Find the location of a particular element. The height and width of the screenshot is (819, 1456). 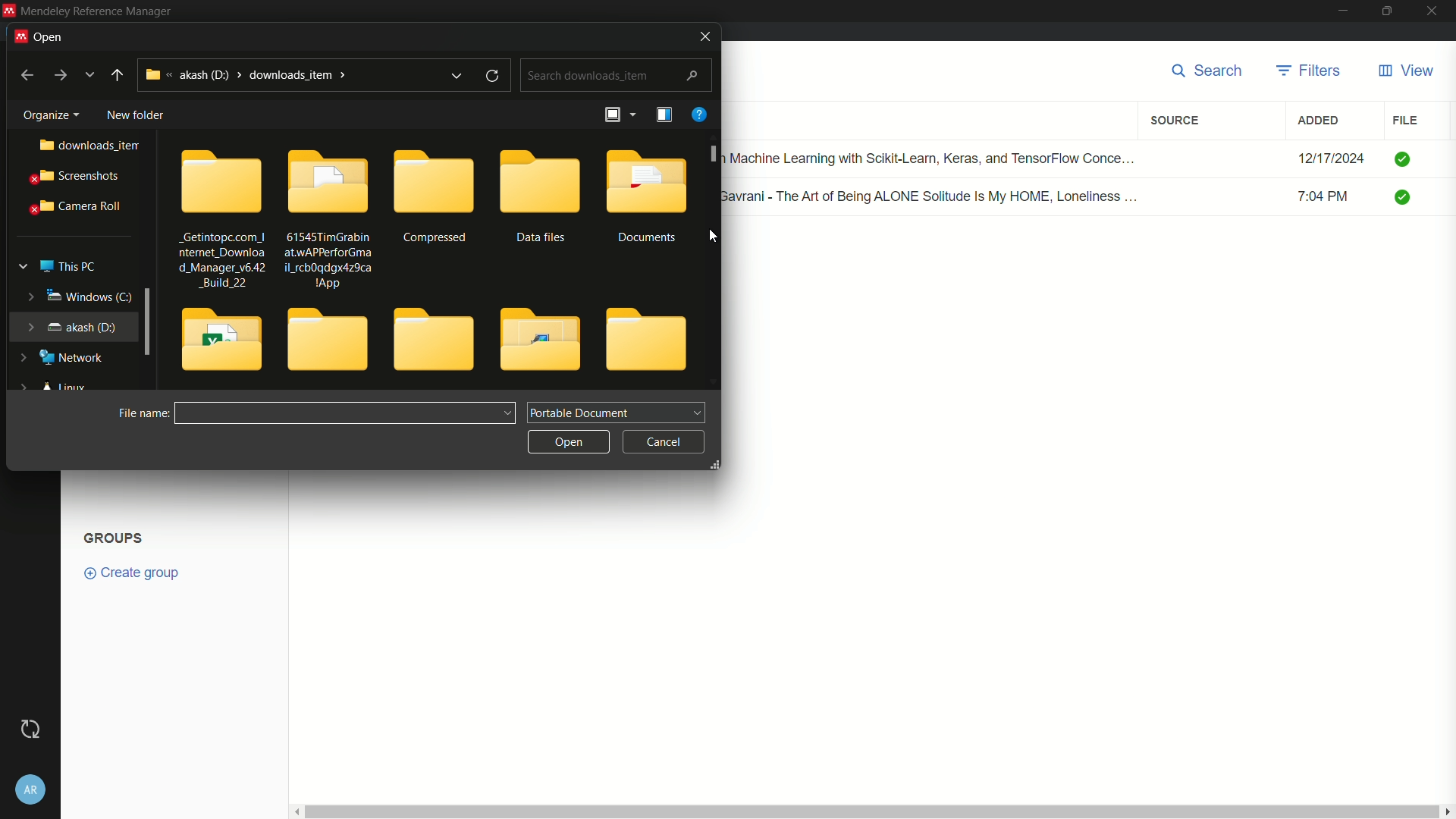

screenshots is located at coordinates (72, 177).